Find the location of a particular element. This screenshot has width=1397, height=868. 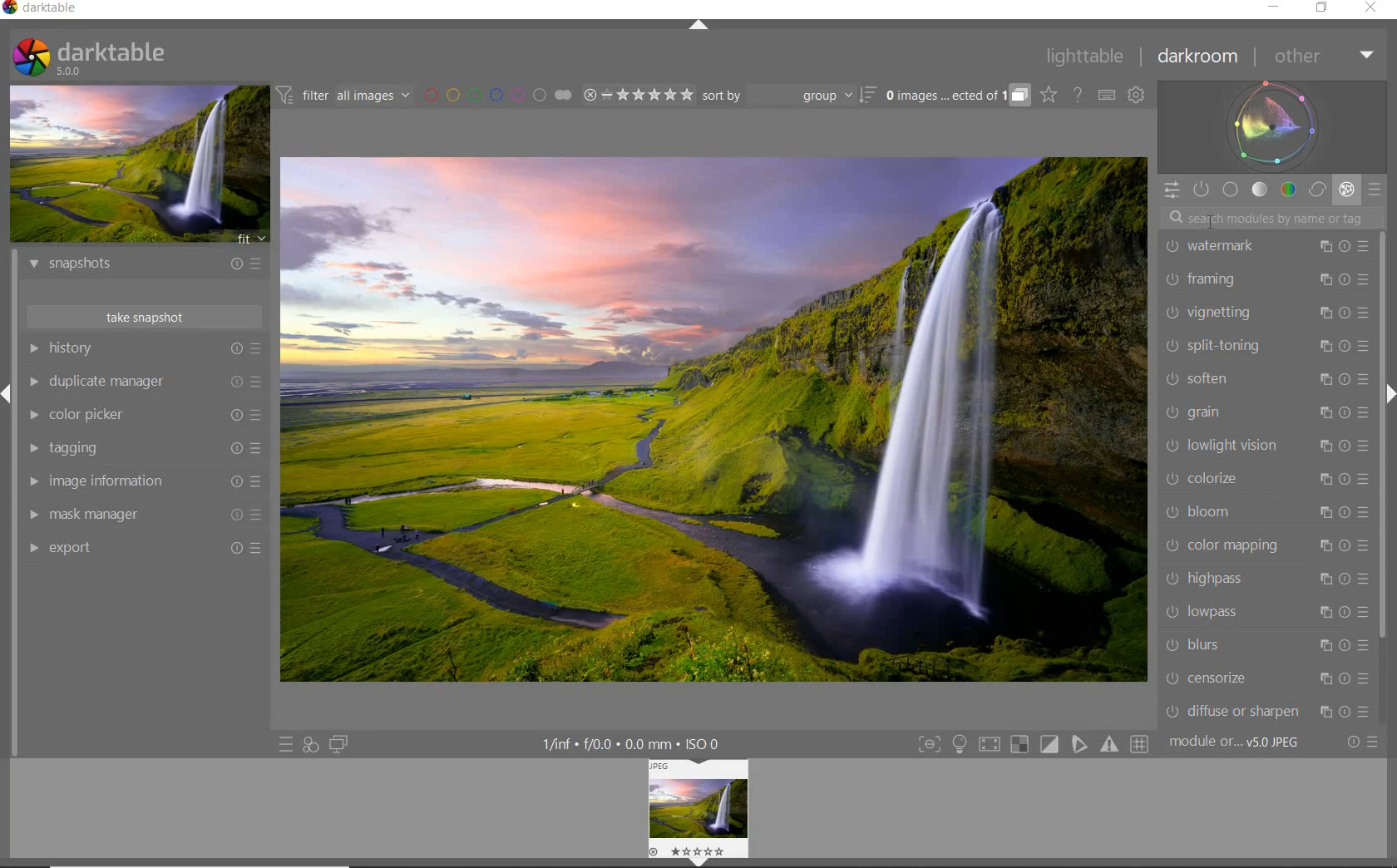

darkroom is located at coordinates (1198, 57).